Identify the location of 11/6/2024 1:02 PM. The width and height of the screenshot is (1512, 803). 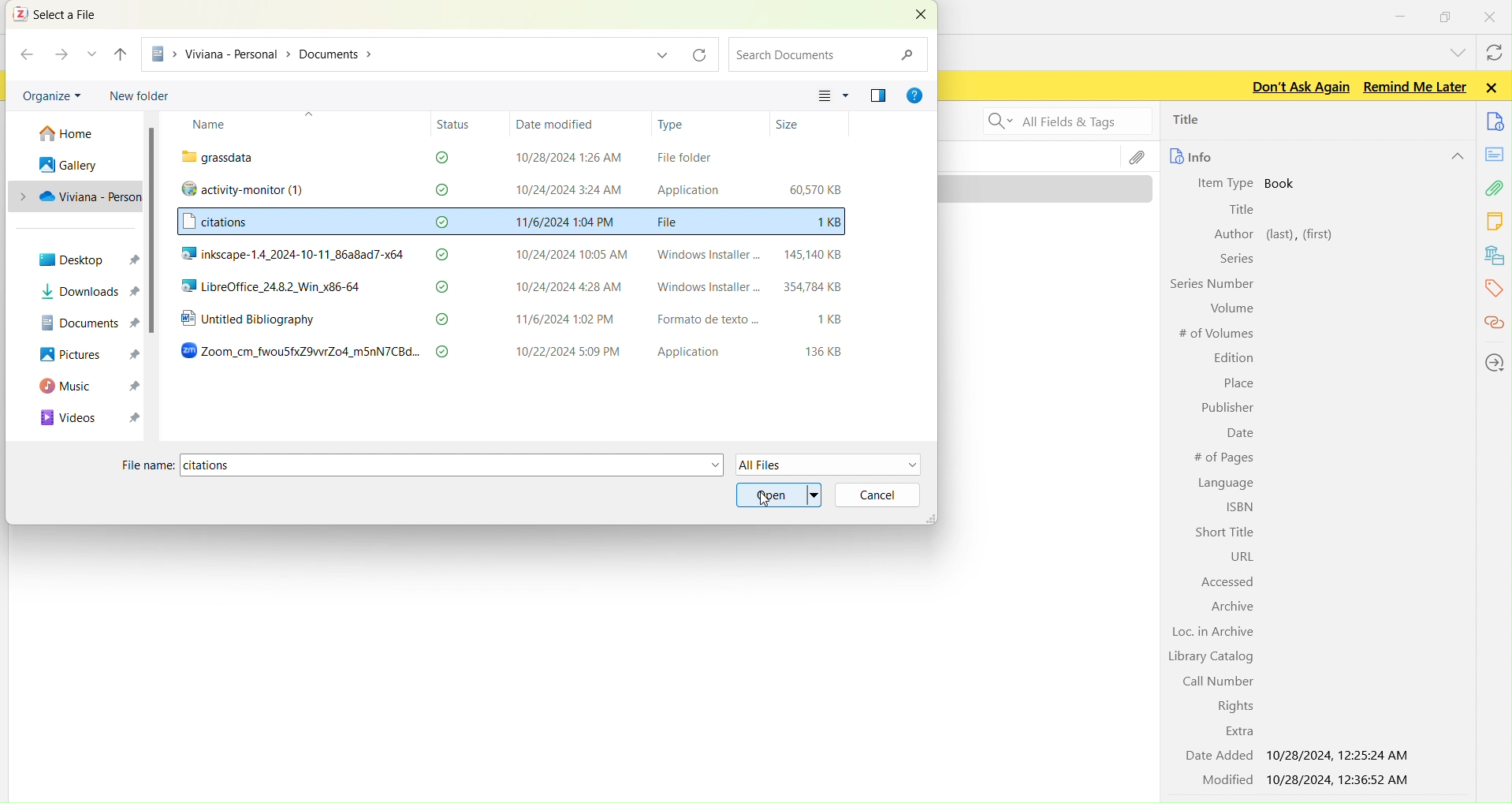
(555, 321).